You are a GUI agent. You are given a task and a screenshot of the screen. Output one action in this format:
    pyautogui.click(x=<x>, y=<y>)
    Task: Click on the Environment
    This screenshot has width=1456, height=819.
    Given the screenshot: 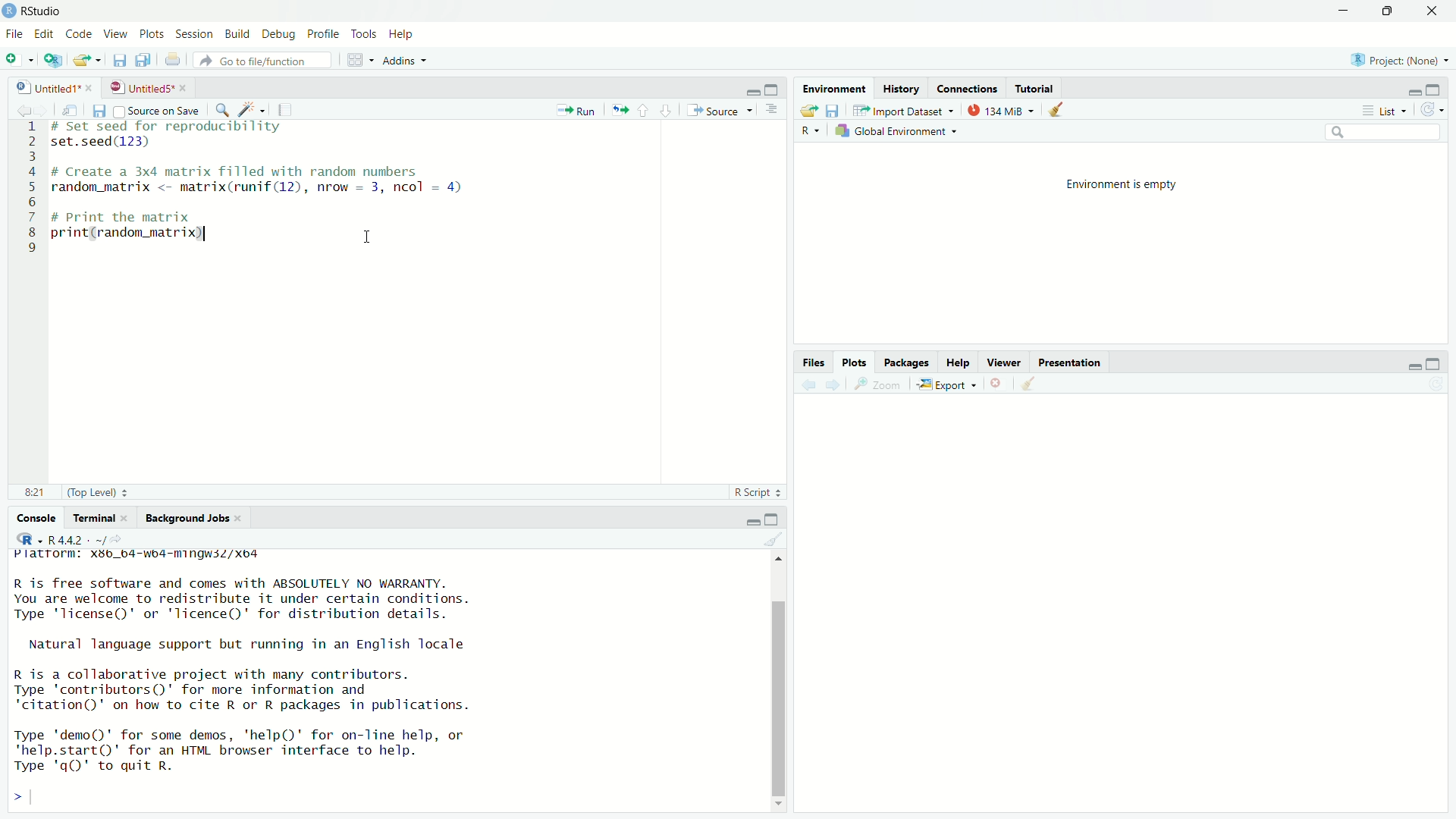 What is the action you would take?
    pyautogui.click(x=834, y=88)
    